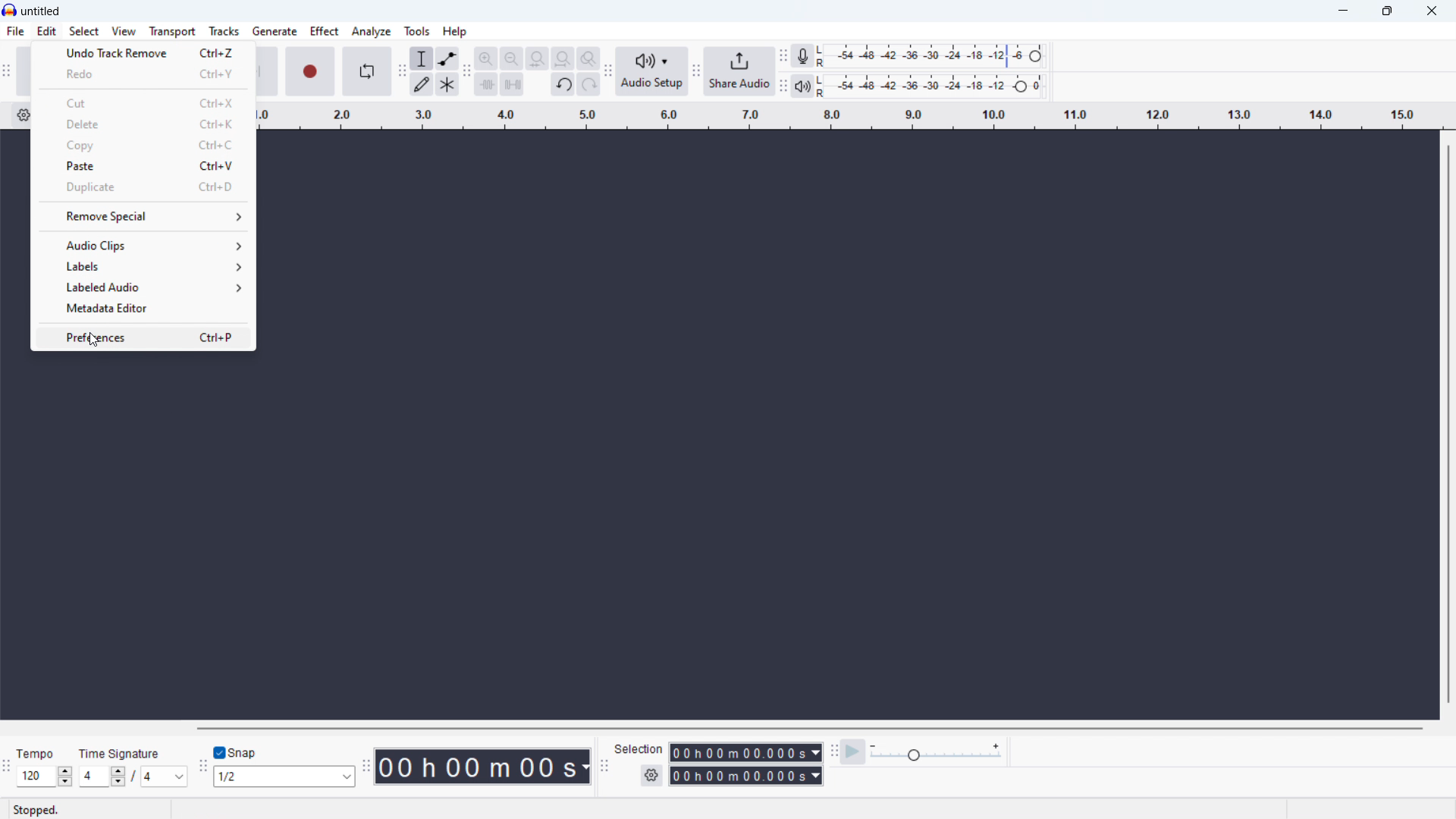 Image resolution: width=1456 pixels, height=819 pixels. I want to click on Selection, so click(641, 748).